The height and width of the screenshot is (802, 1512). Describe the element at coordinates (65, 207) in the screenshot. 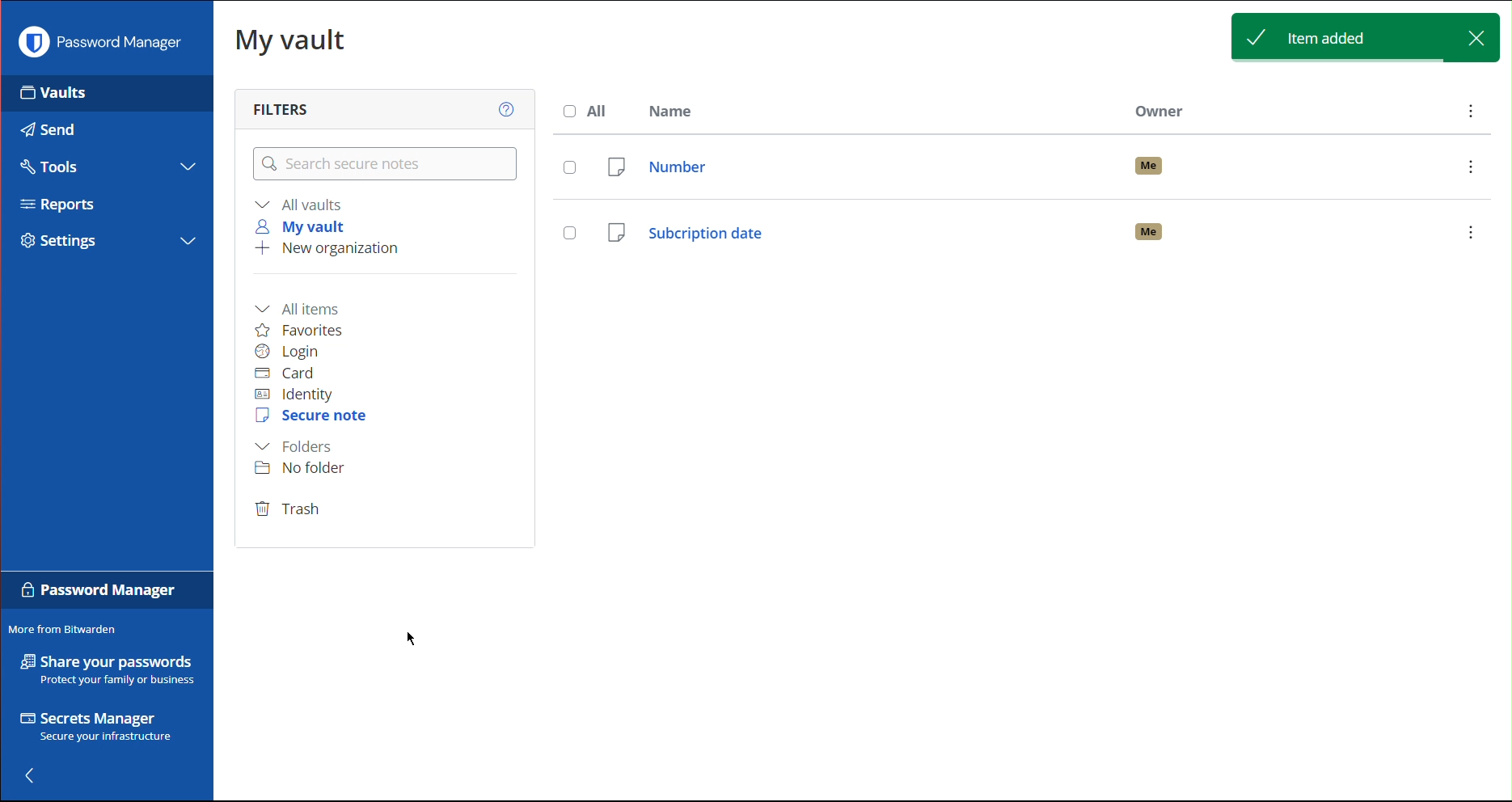

I see `Reports` at that location.